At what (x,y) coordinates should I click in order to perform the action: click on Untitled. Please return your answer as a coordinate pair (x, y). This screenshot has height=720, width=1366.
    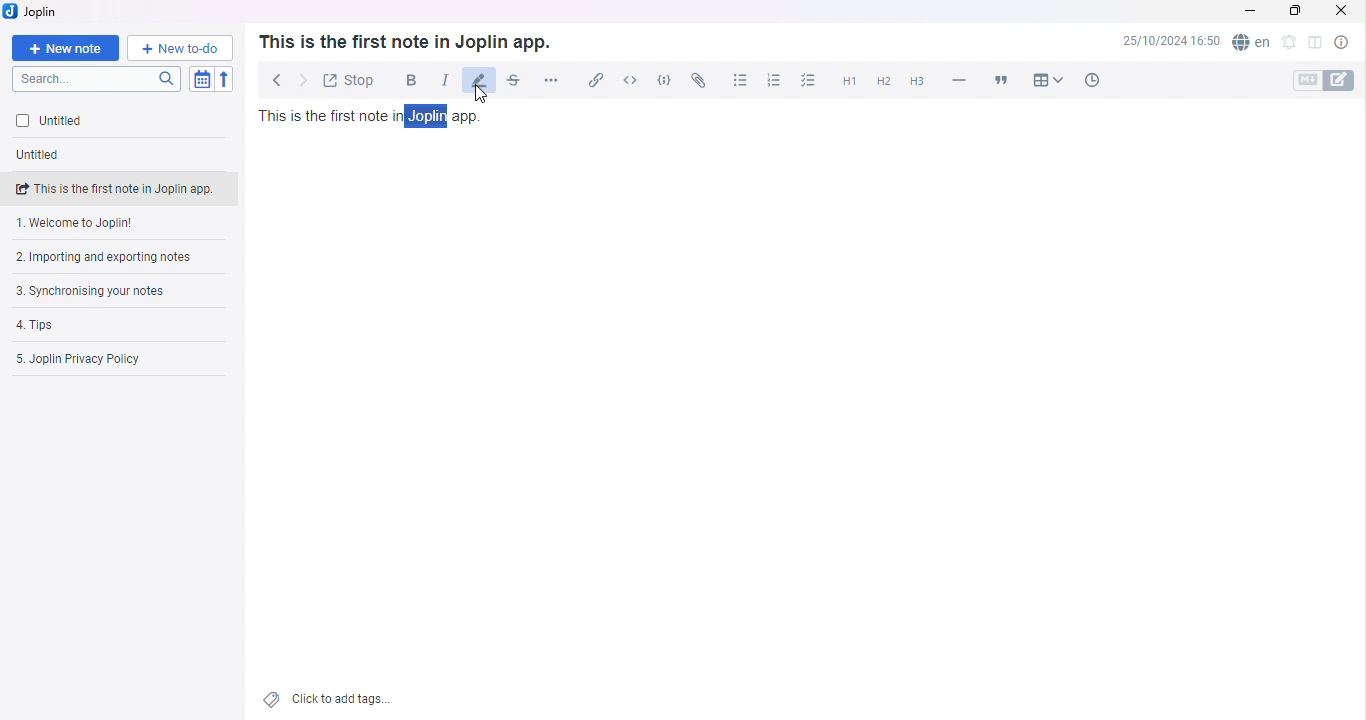
    Looking at the image, I should click on (94, 122).